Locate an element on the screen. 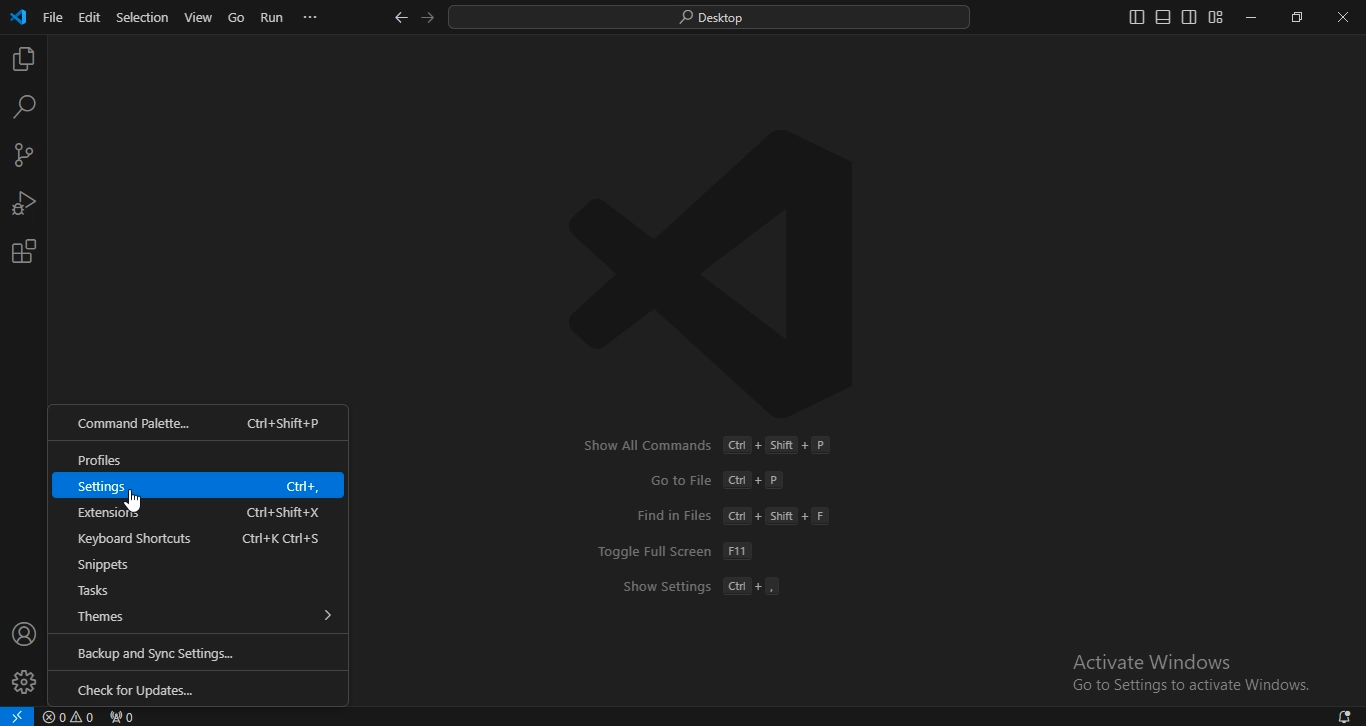 This screenshot has height=726, width=1366. Shortcut key is located at coordinates (285, 514).